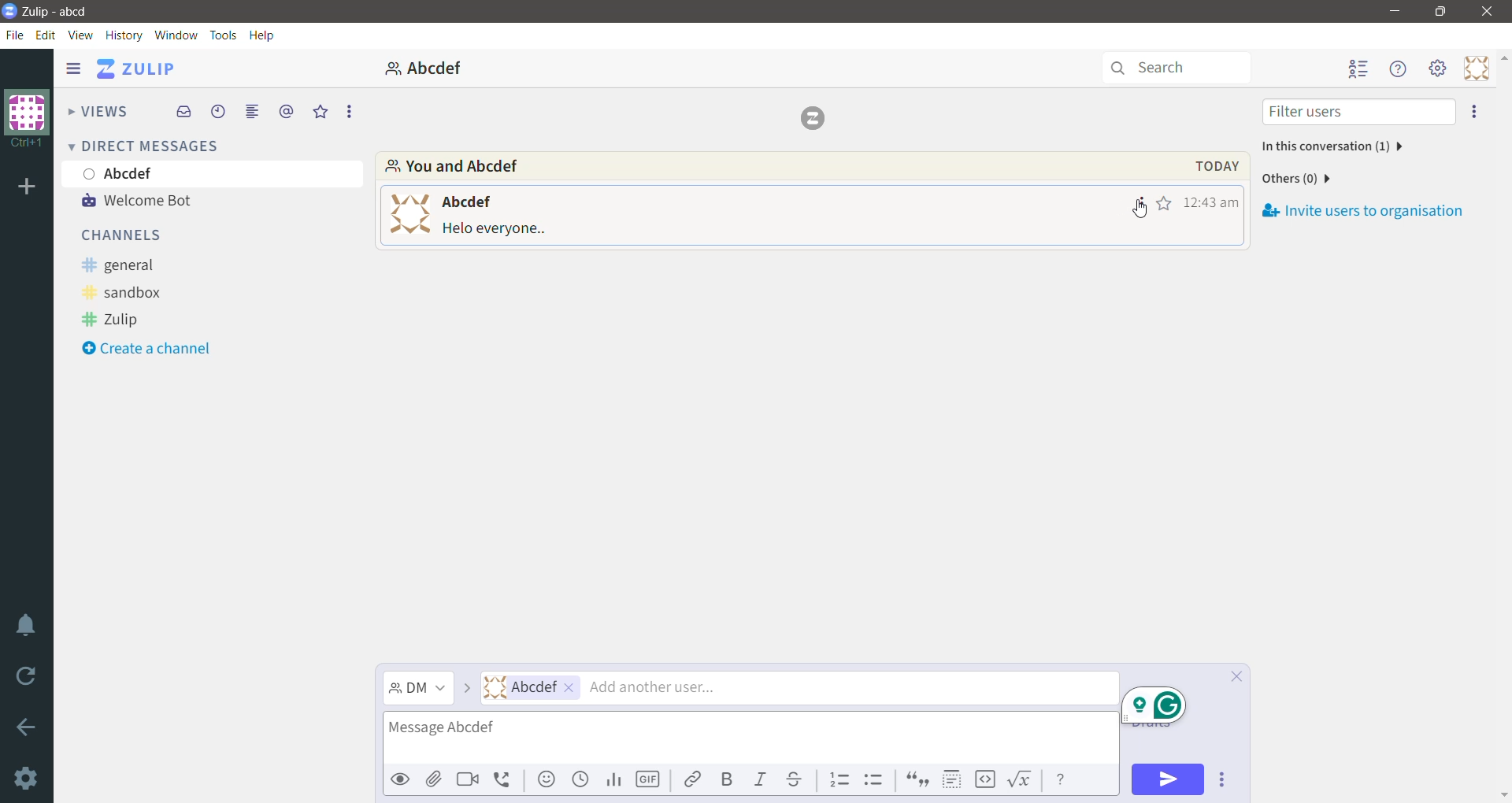 The image size is (1512, 803). Describe the element at coordinates (986, 780) in the screenshot. I see `Code` at that location.